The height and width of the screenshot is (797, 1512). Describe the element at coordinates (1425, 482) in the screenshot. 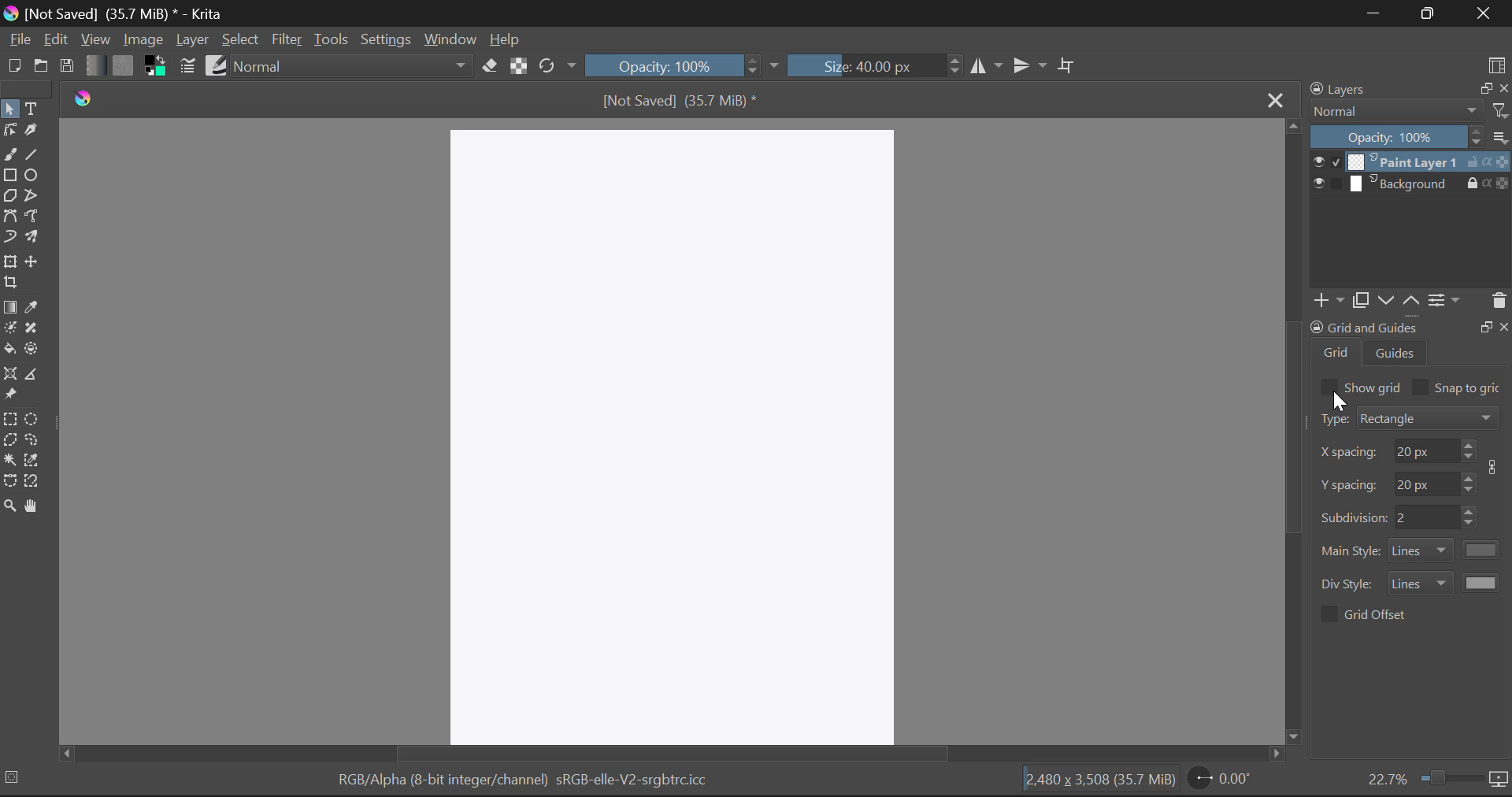

I see `spacing y` at that location.